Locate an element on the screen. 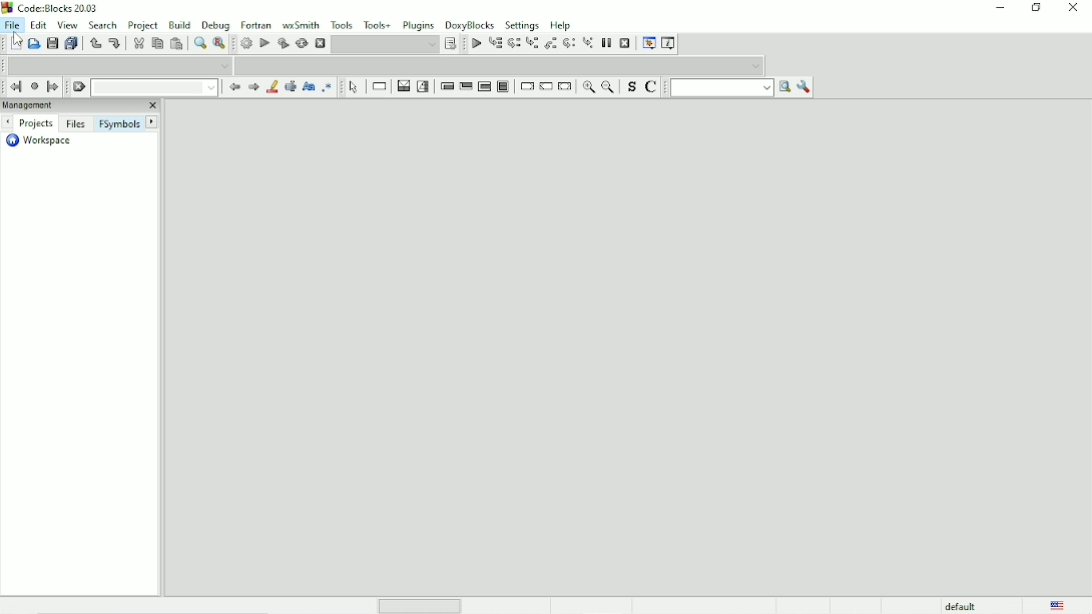  Minimize is located at coordinates (1000, 8).